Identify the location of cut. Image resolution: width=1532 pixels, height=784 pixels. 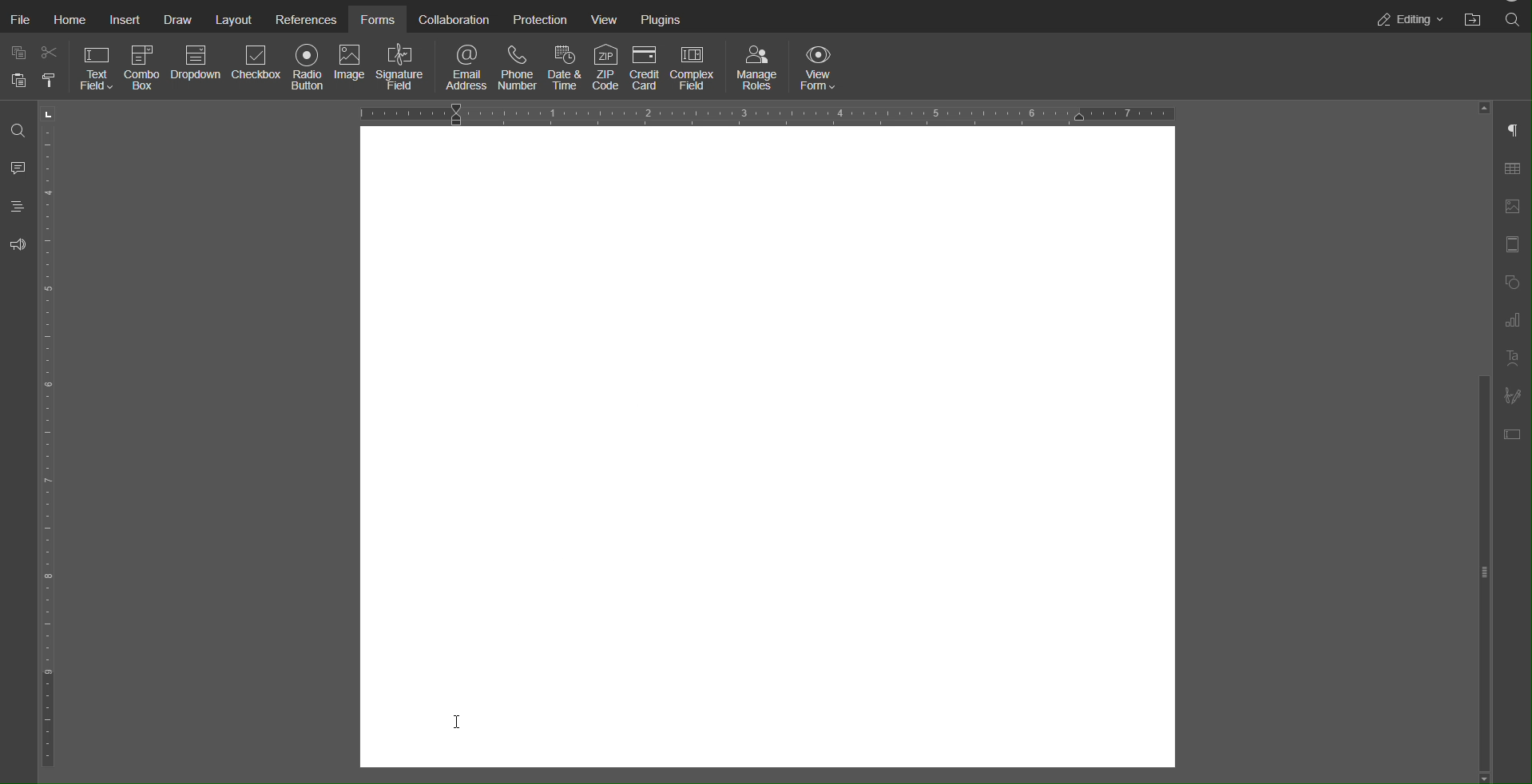
(50, 56).